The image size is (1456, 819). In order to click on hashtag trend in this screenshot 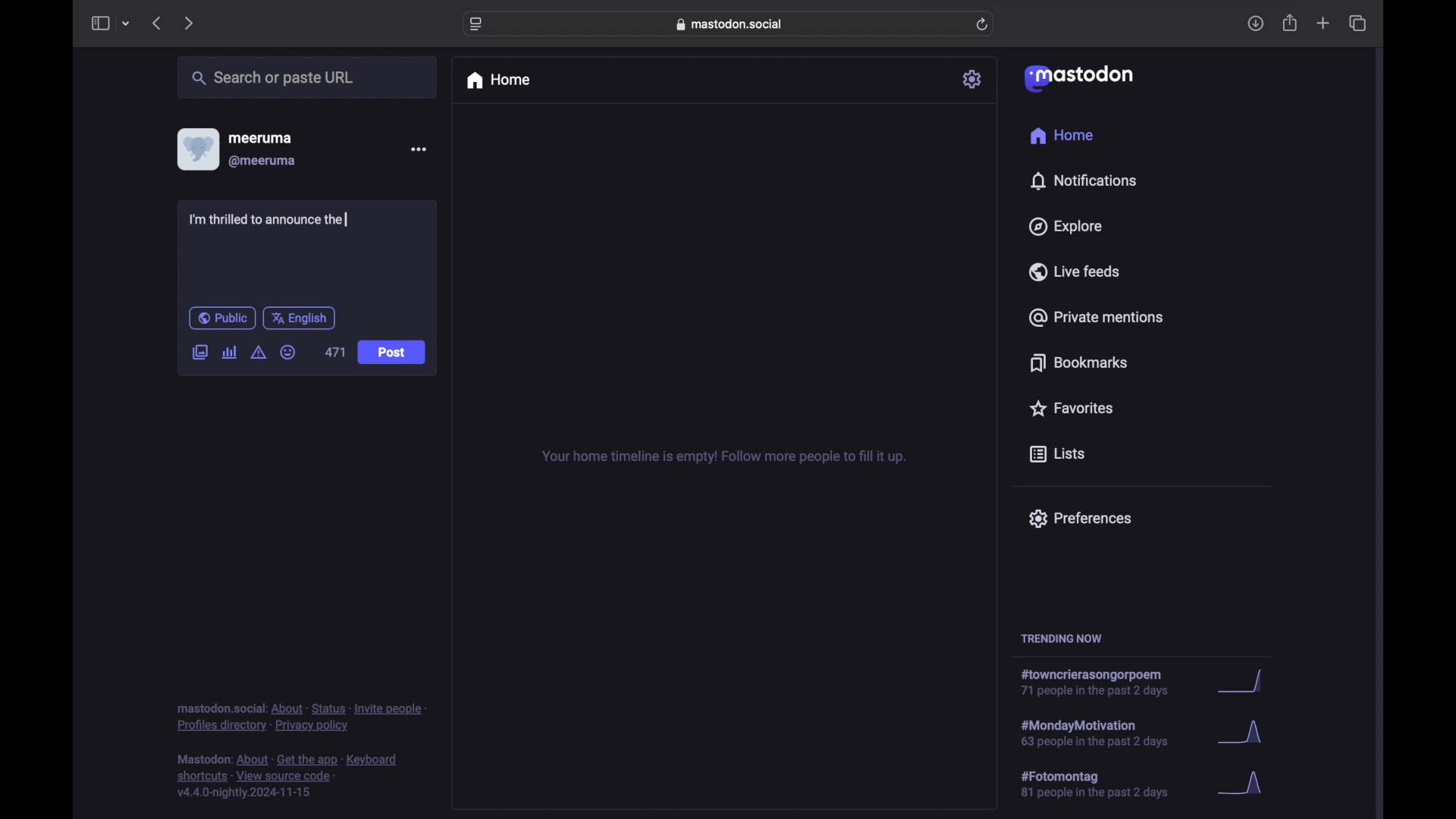, I will do `click(1100, 682)`.